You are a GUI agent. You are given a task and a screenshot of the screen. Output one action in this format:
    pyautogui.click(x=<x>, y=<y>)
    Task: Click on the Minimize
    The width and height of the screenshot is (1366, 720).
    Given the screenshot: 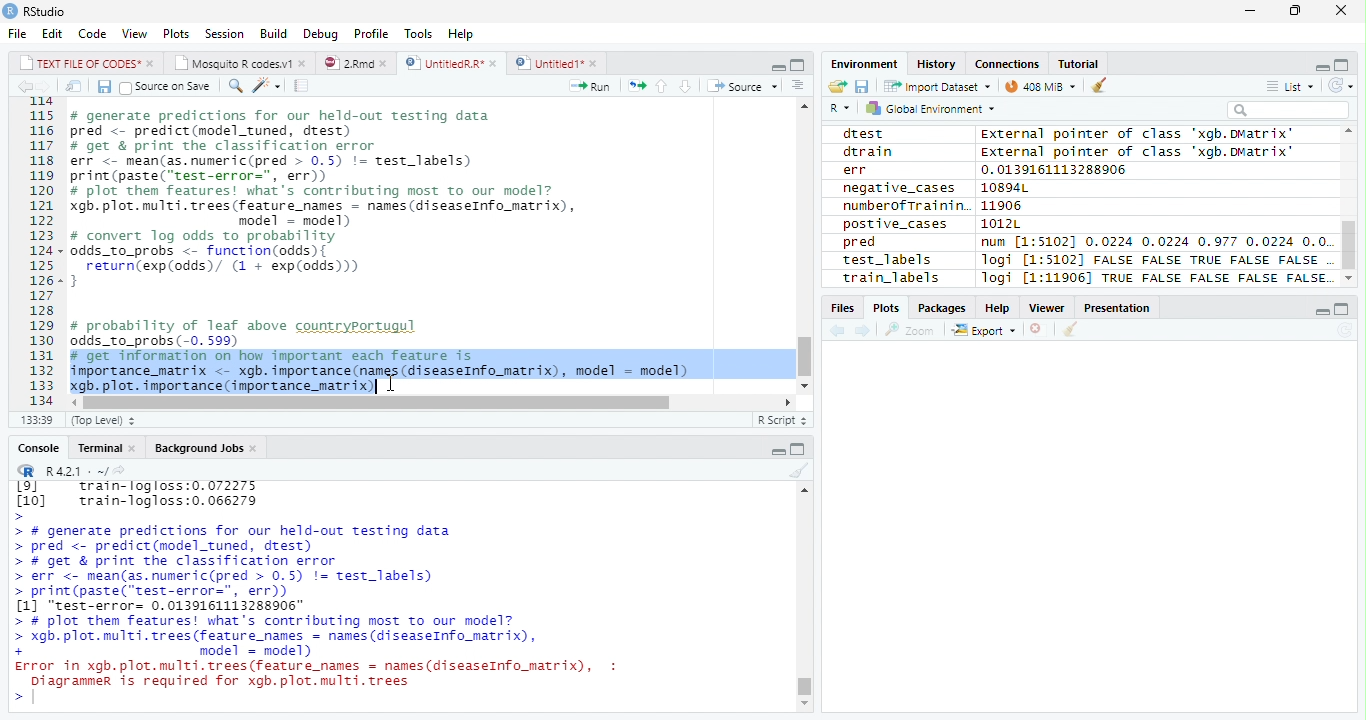 What is the action you would take?
    pyautogui.click(x=1249, y=11)
    